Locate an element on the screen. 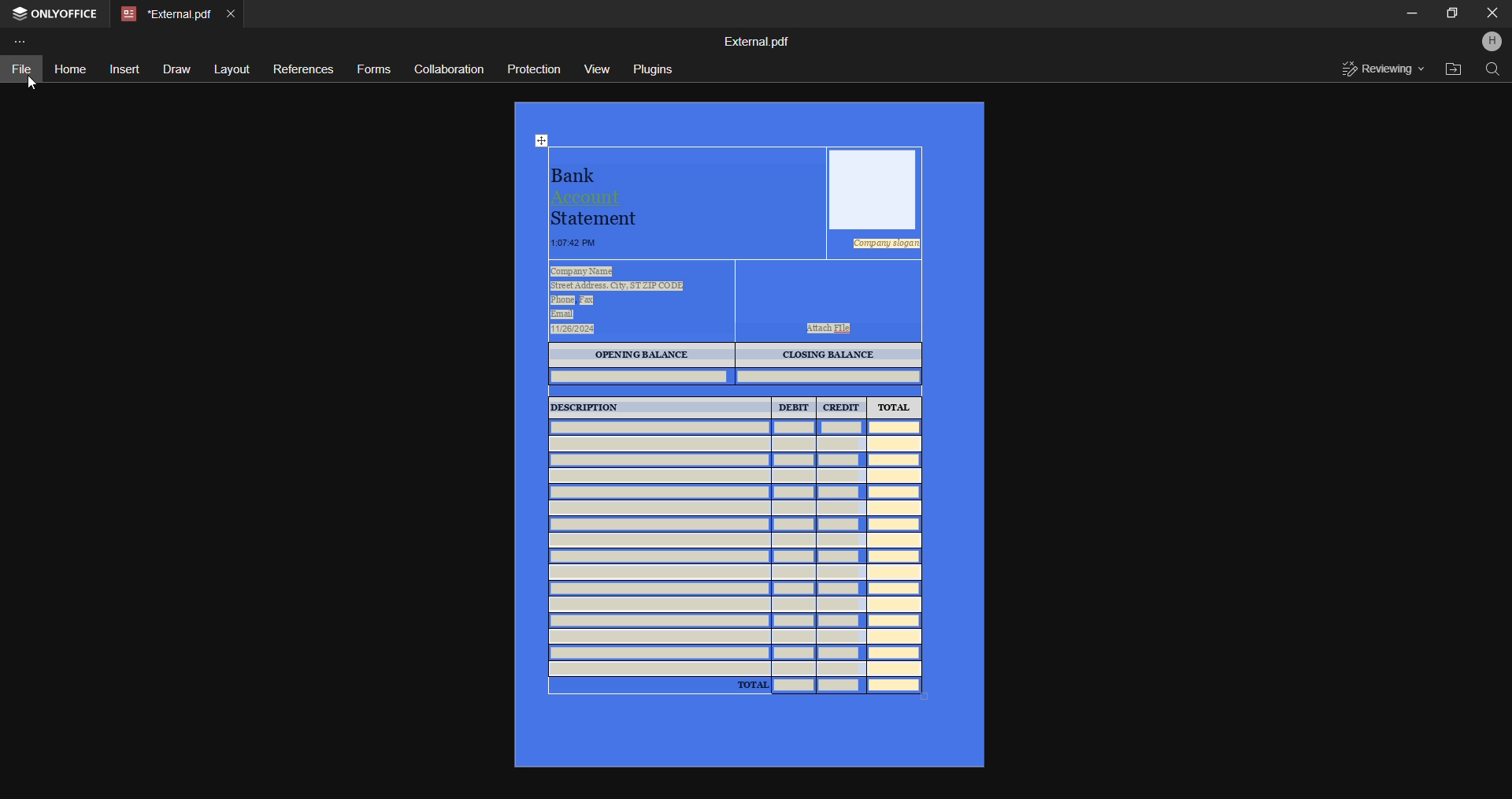 The width and height of the screenshot is (1512, 799). Layout is located at coordinates (228, 68).